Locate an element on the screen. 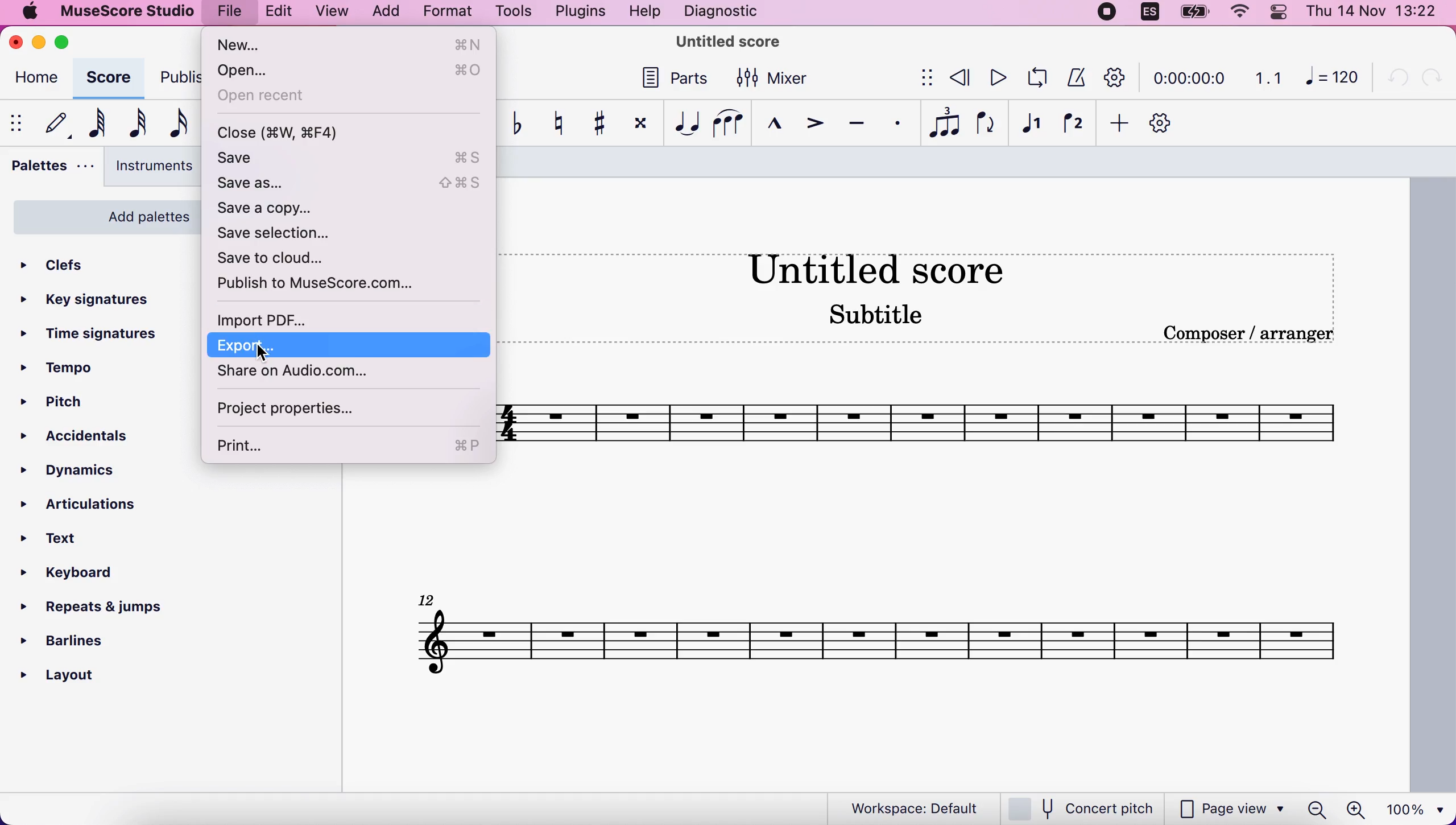  tempo is located at coordinates (76, 366).